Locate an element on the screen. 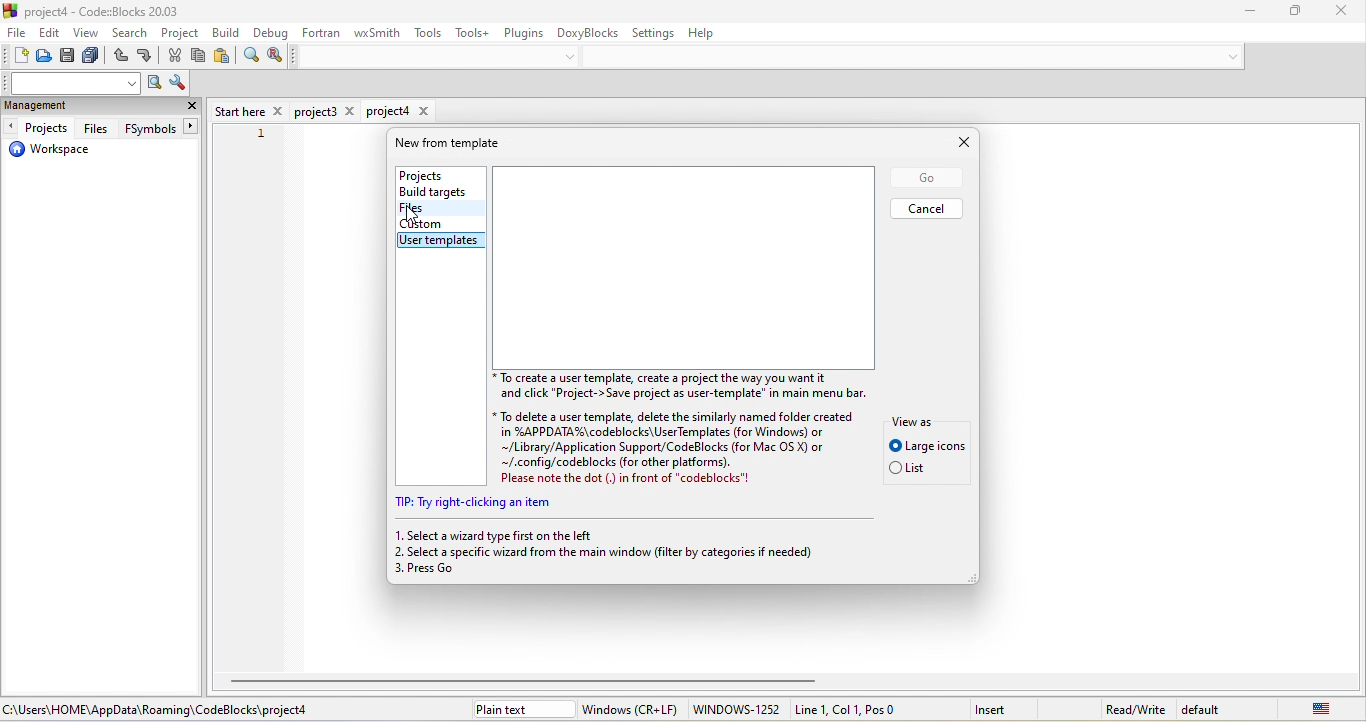 Image resolution: width=1366 pixels, height=722 pixels. settings is located at coordinates (656, 32).